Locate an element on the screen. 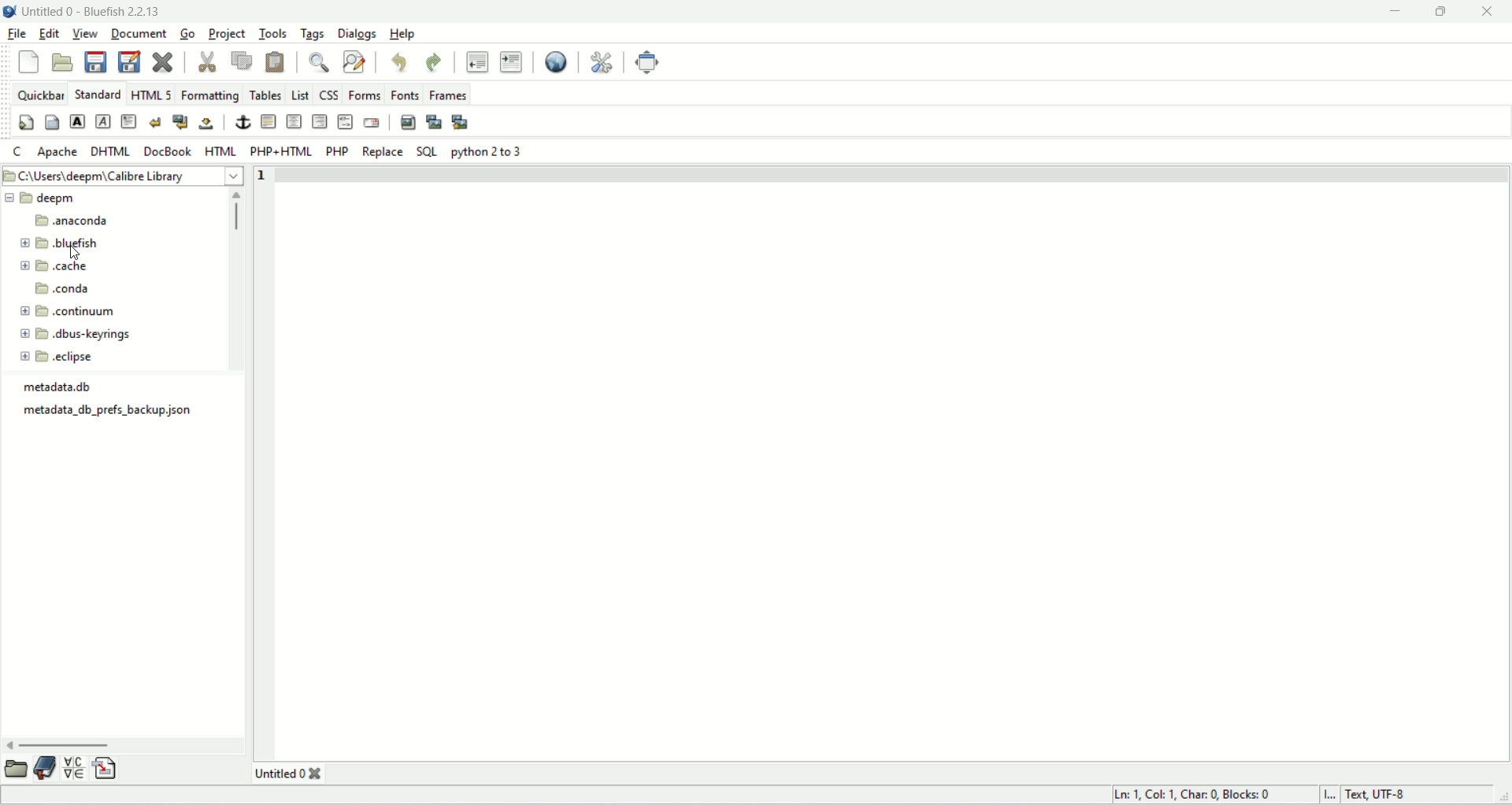 The image size is (1512, 805). eclipse is located at coordinates (58, 356).